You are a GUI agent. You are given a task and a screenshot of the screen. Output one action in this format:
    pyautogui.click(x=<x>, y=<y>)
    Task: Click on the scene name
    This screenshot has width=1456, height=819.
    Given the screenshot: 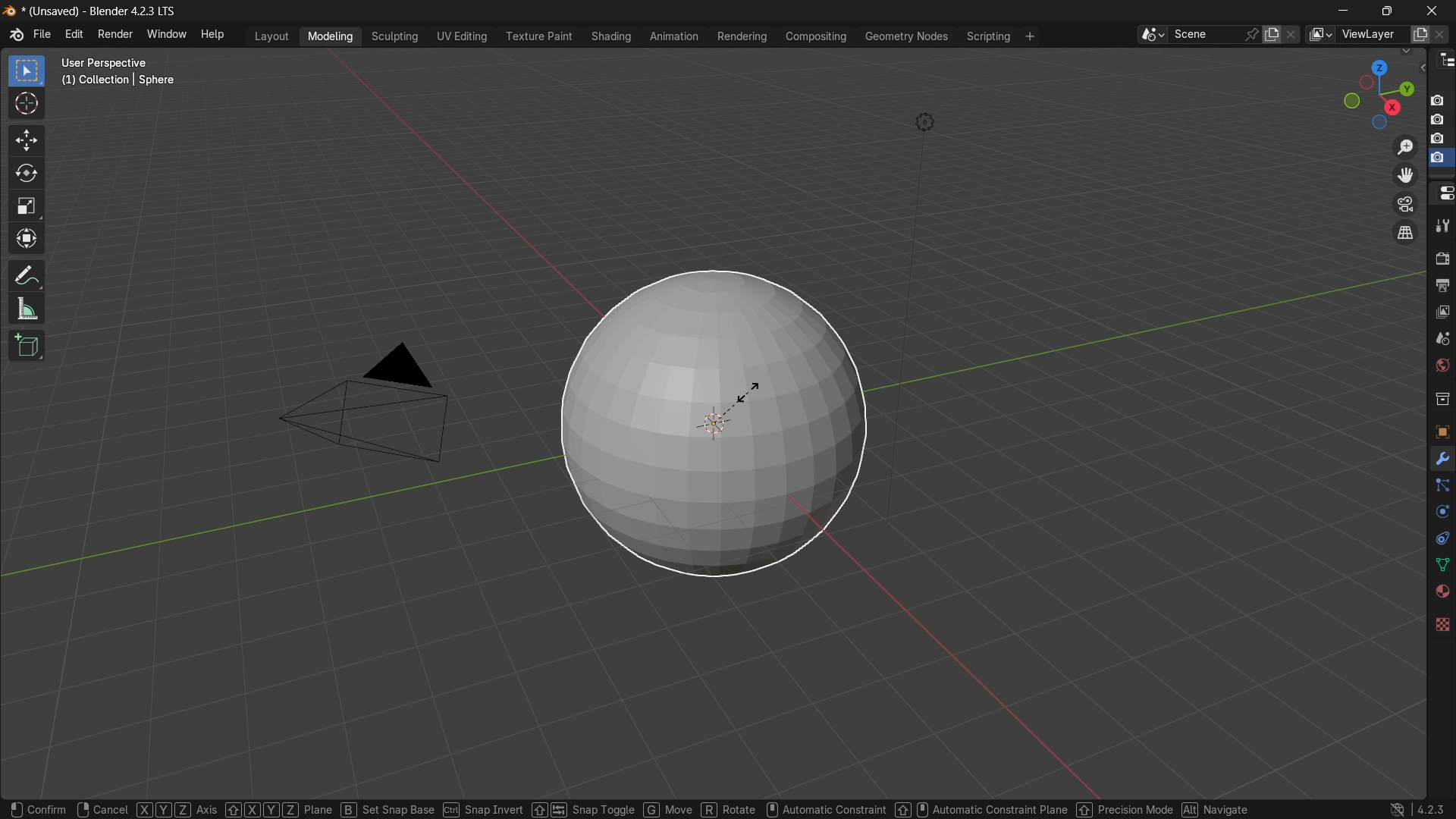 What is the action you would take?
    pyautogui.click(x=1207, y=35)
    